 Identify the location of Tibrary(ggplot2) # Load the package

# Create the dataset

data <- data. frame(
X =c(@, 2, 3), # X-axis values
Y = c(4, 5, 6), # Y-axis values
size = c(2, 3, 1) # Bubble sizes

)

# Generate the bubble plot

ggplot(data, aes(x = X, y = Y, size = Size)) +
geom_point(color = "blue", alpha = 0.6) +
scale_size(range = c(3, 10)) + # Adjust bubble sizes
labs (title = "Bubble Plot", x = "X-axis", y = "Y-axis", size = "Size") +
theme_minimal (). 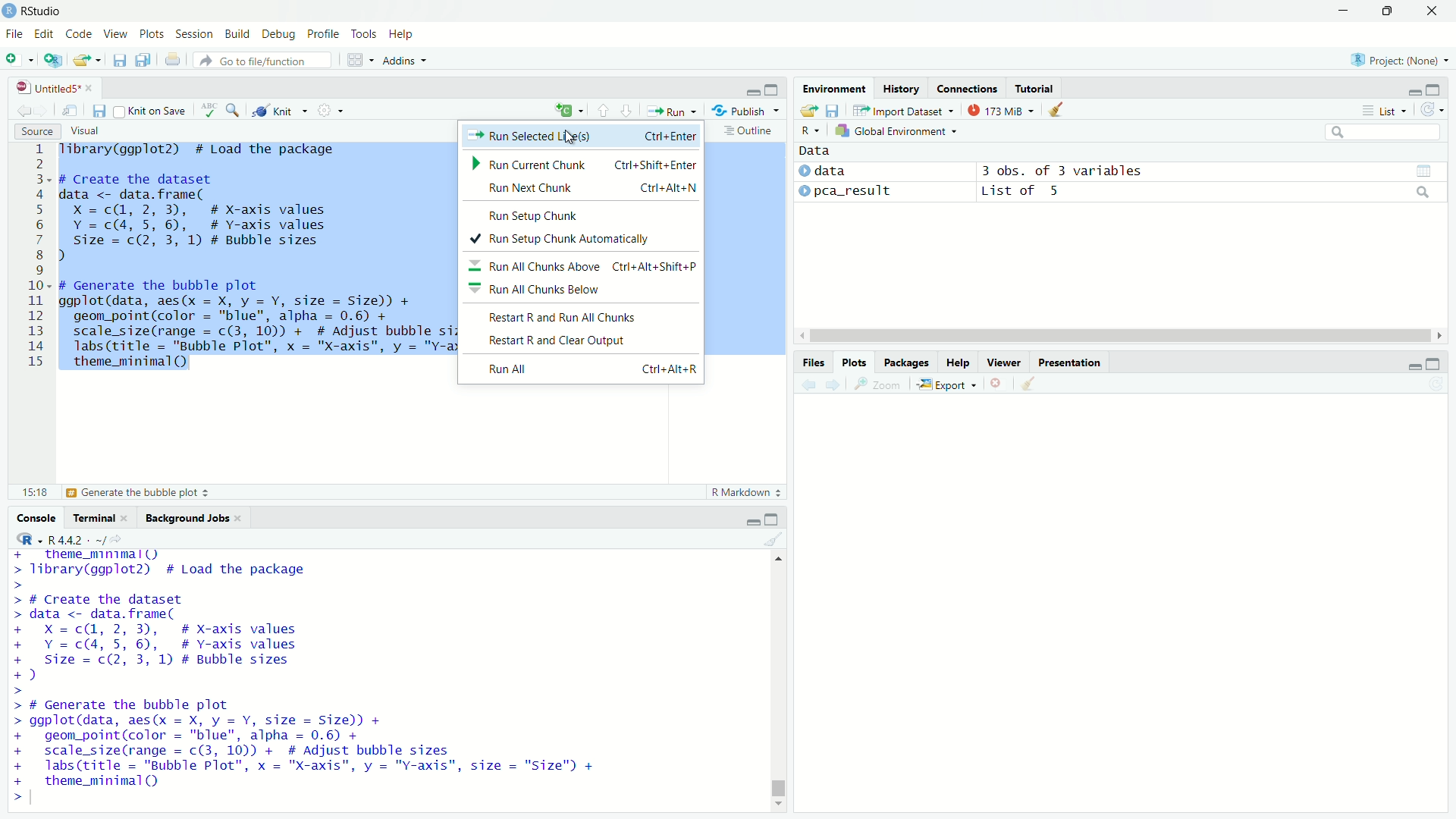
(307, 677).